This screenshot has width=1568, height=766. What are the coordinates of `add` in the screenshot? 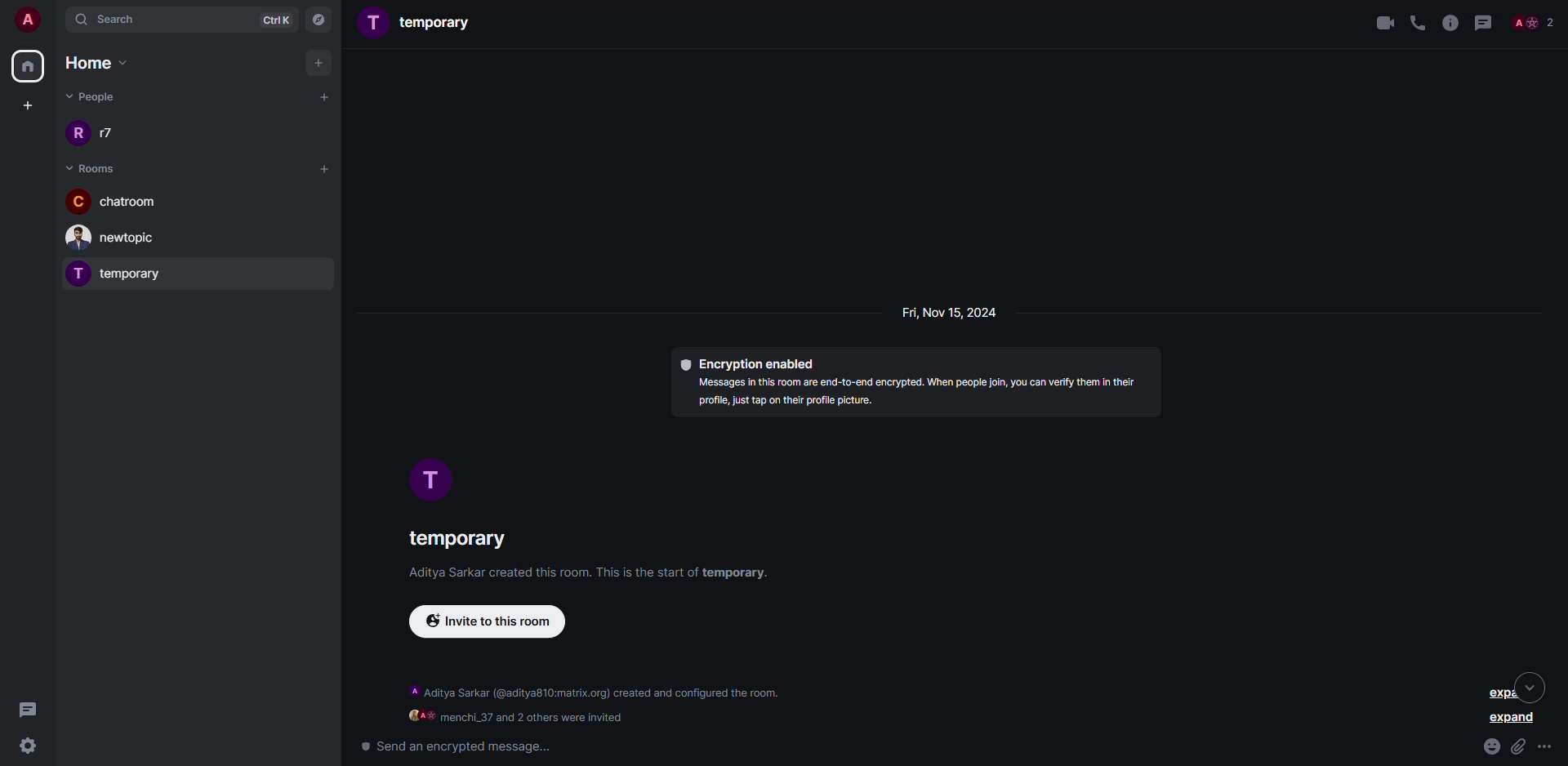 It's located at (322, 168).